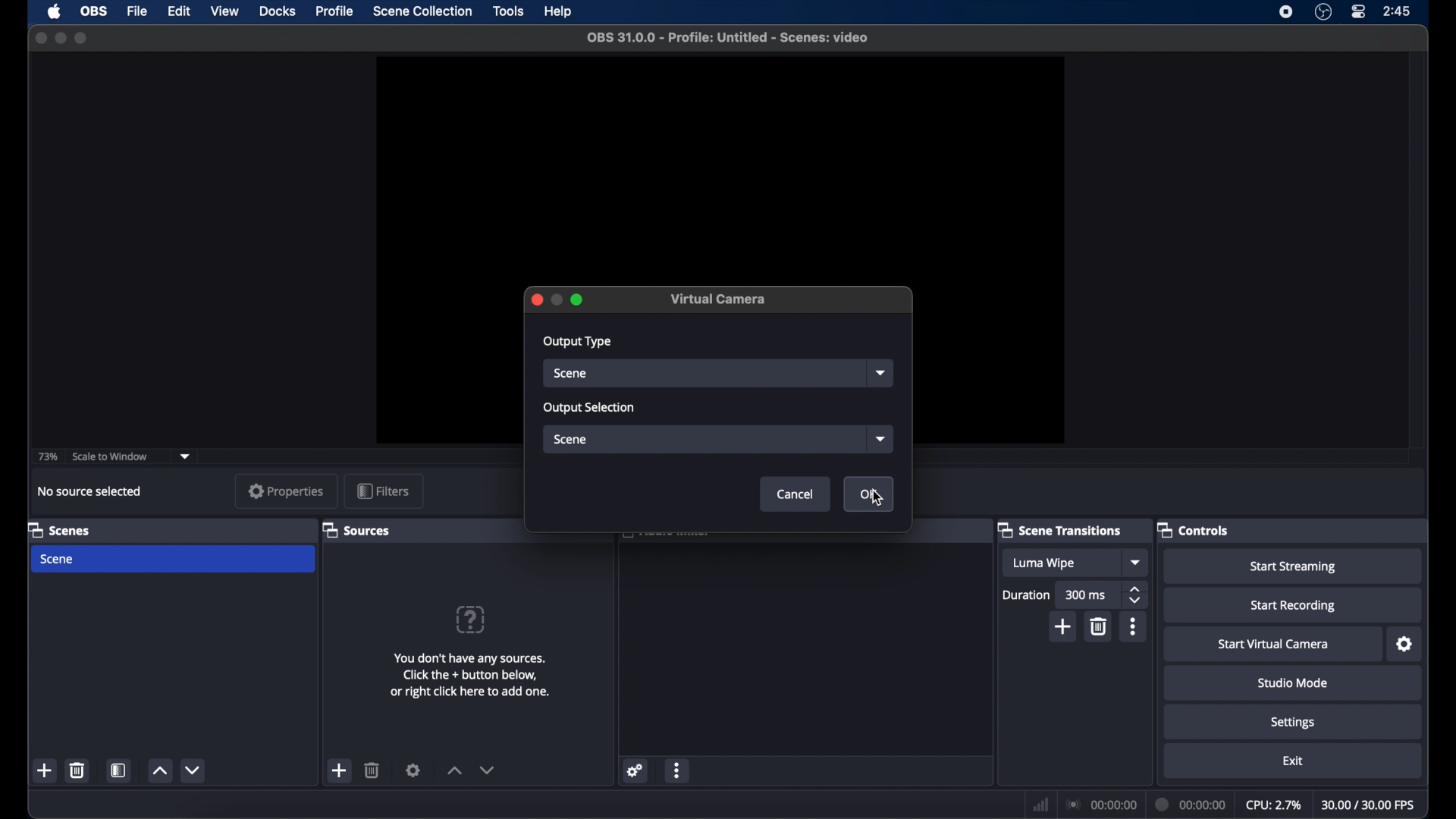 The width and height of the screenshot is (1456, 819). Describe the element at coordinates (578, 342) in the screenshot. I see `output type` at that location.